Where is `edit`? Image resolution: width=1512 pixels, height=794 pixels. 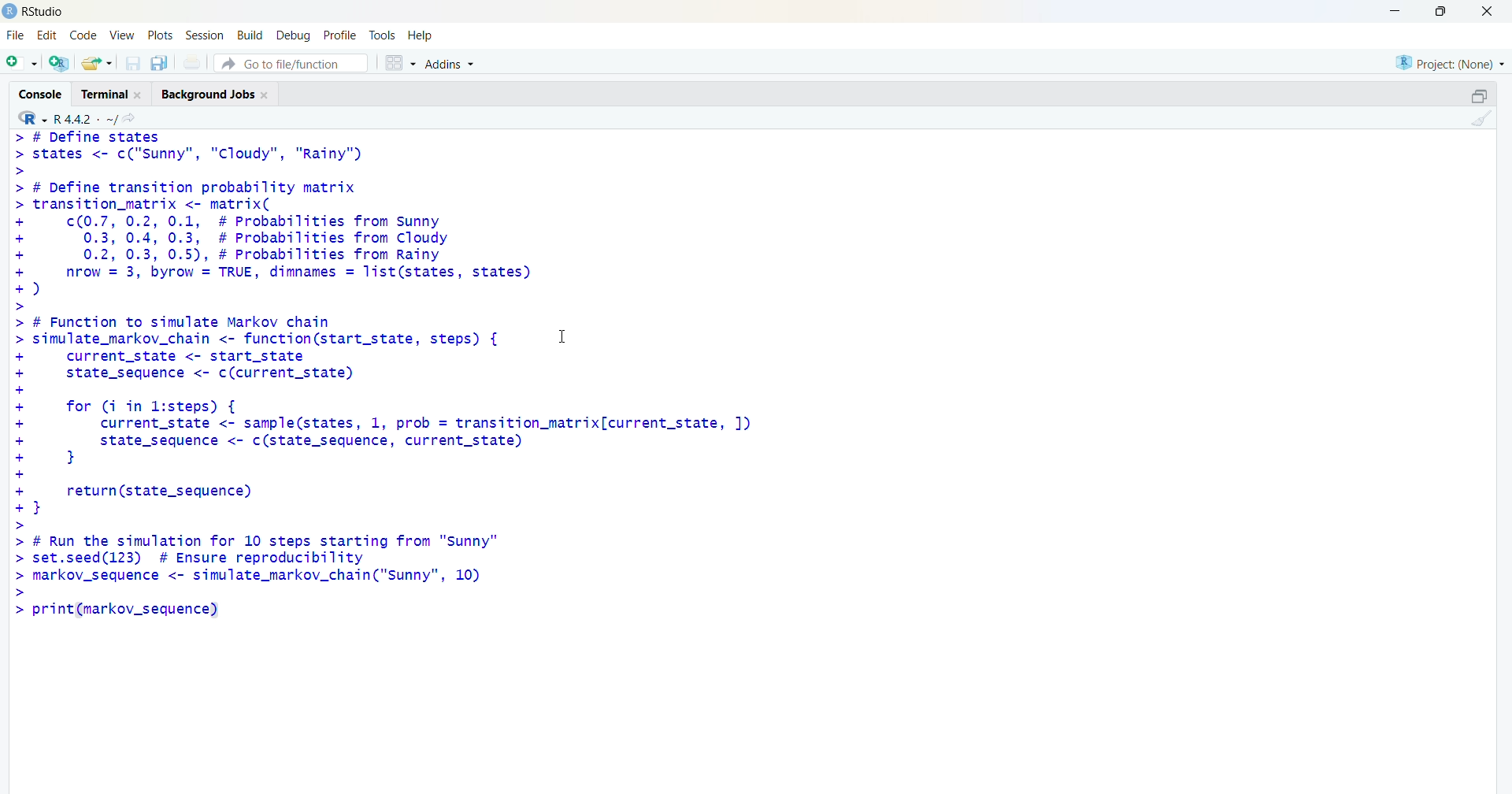
edit is located at coordinates (48, 33).